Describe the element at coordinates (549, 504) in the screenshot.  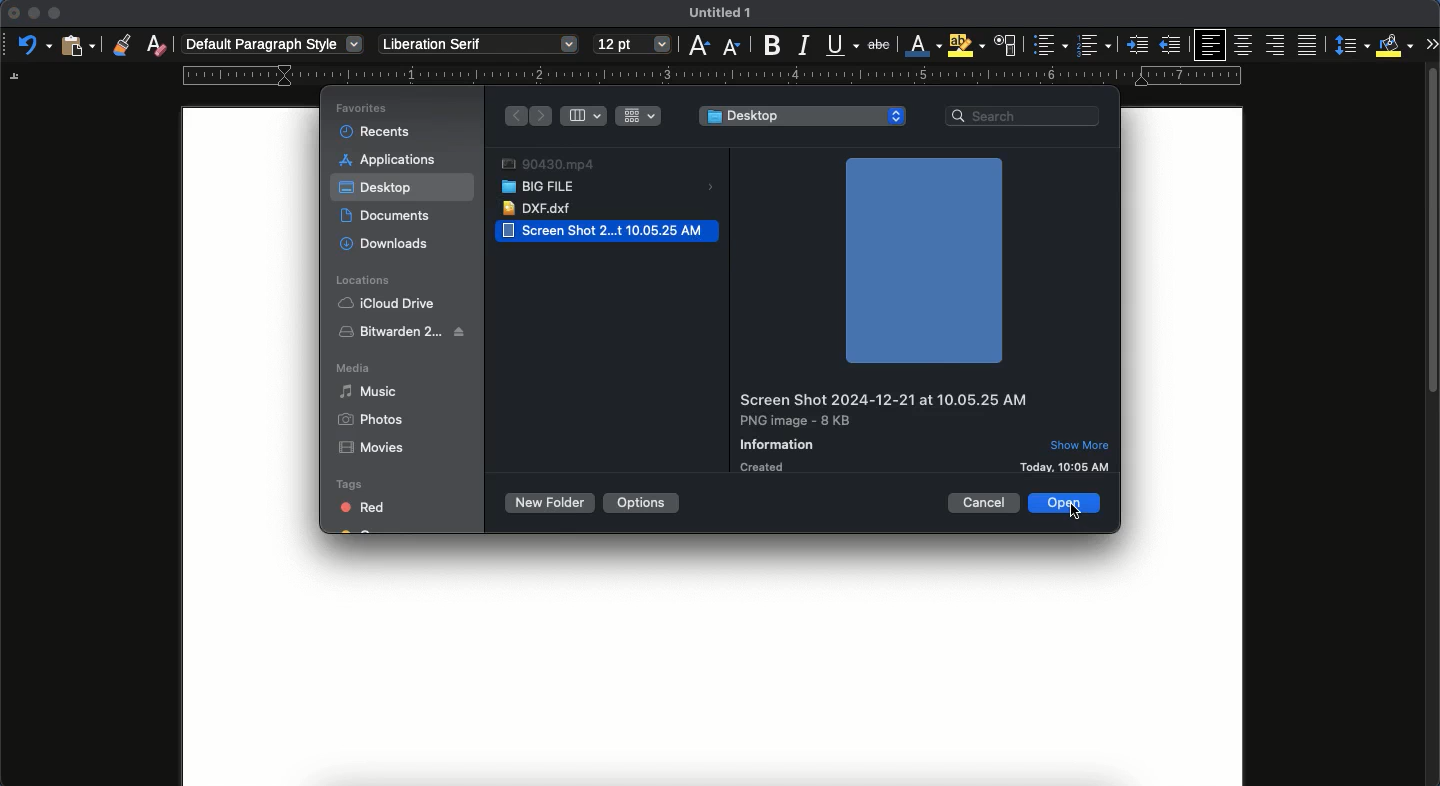
I see `new folder` at that location.